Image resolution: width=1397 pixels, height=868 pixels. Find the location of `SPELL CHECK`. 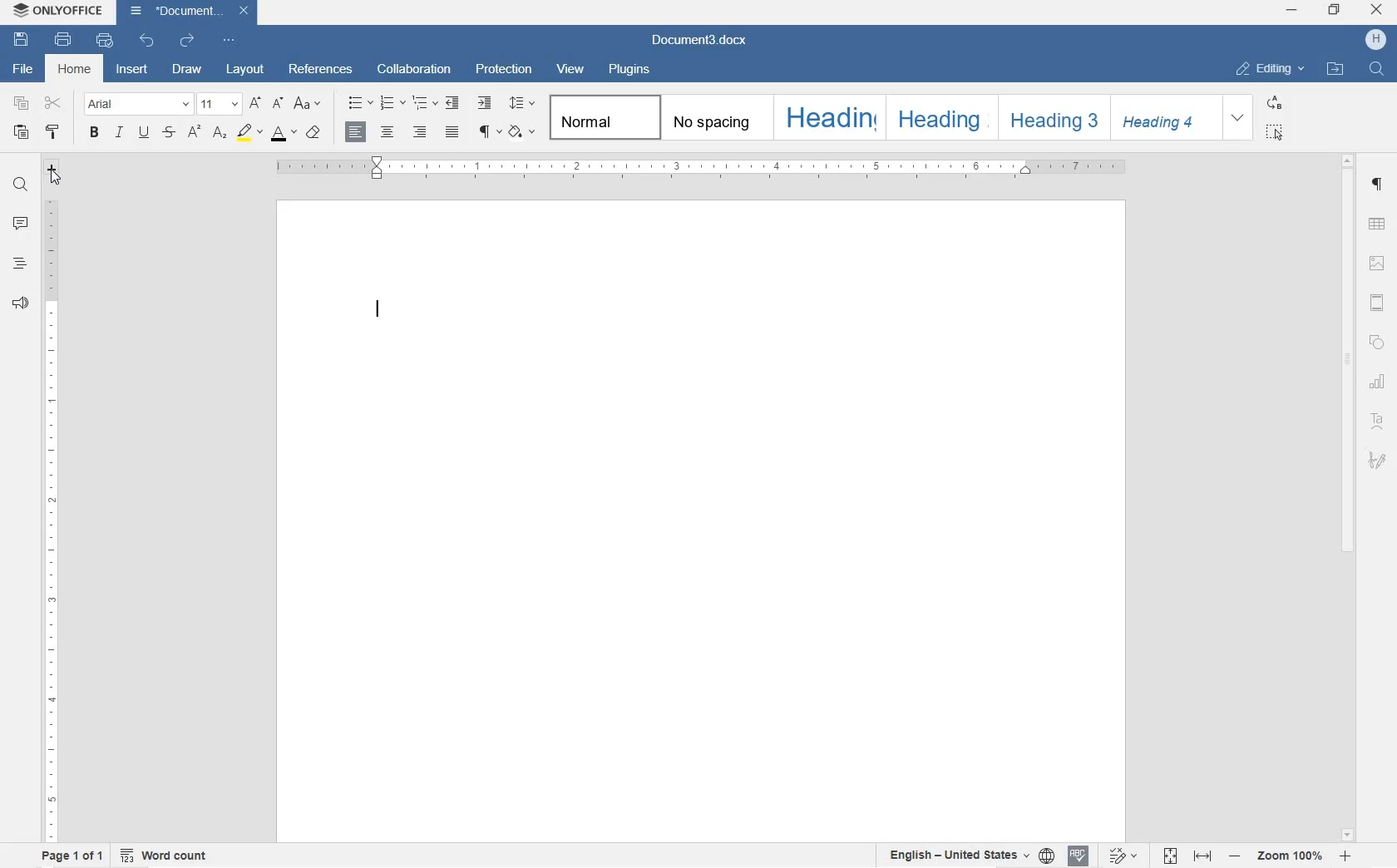

SPELL CHECK is located at coordinates (1076, 855).